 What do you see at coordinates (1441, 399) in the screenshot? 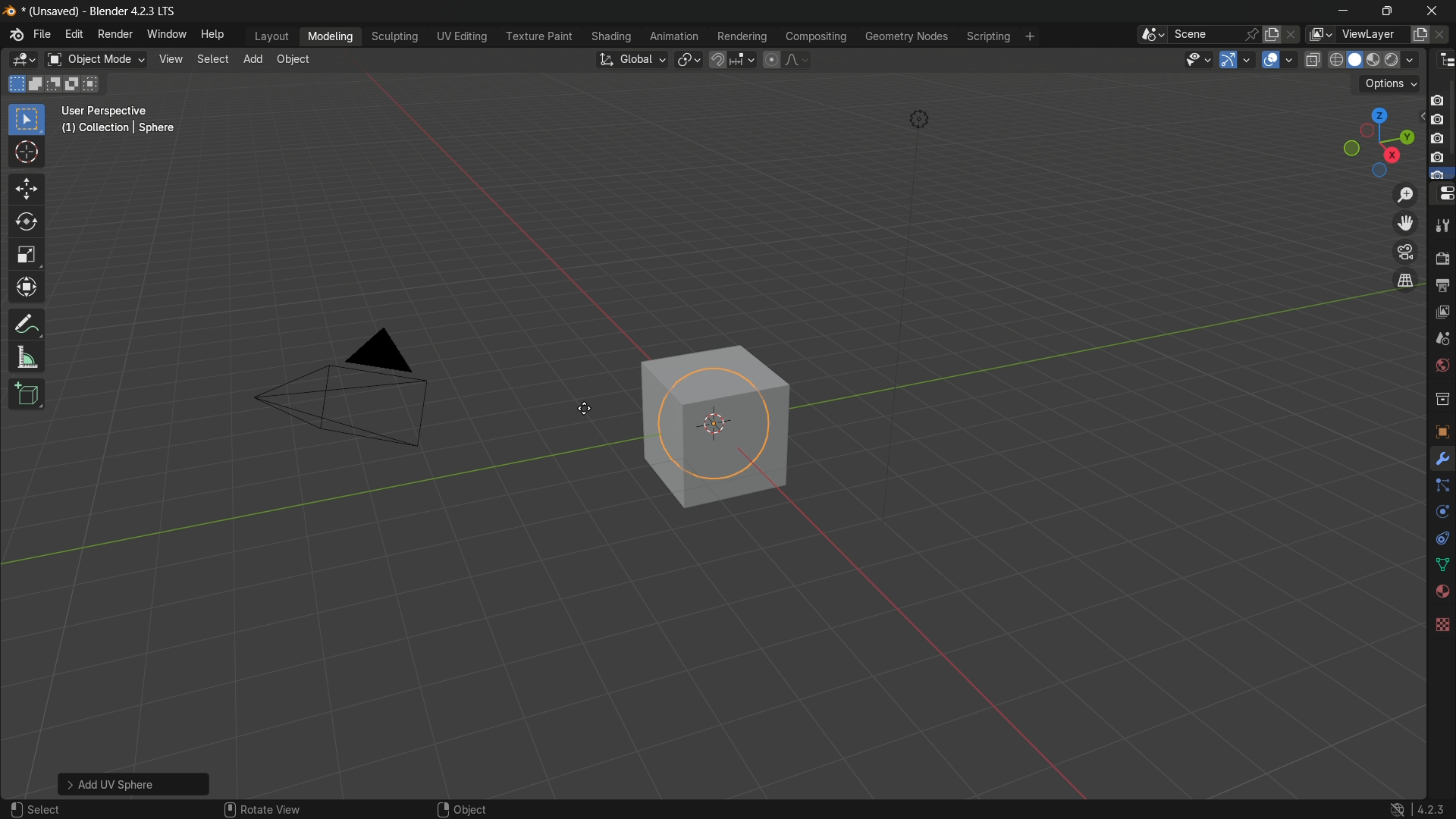
I see `collections` at bounding box center [1441, 399].